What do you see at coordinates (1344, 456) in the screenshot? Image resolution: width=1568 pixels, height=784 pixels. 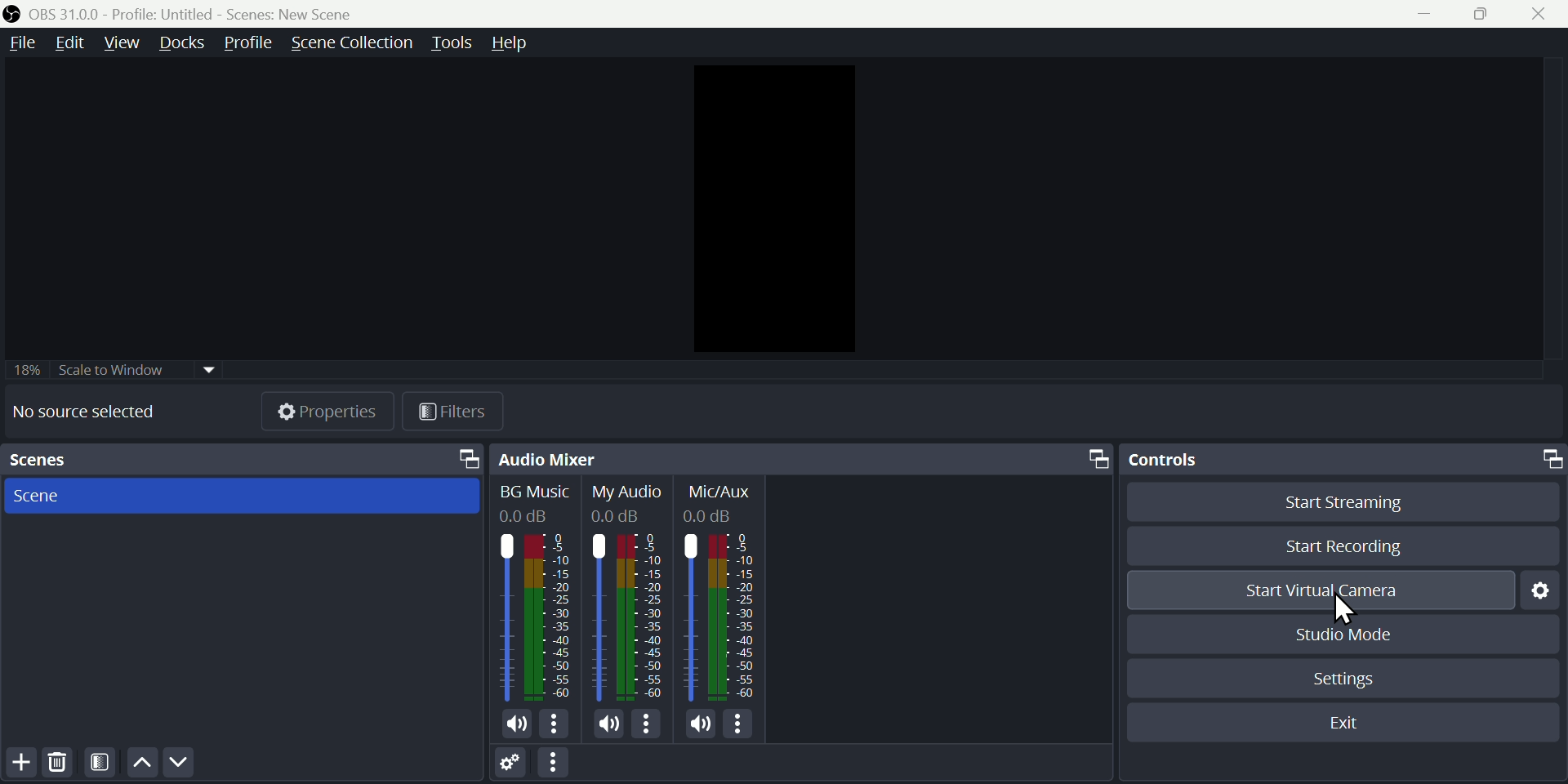 I see `Controls` at bounding box center [1344, 456].